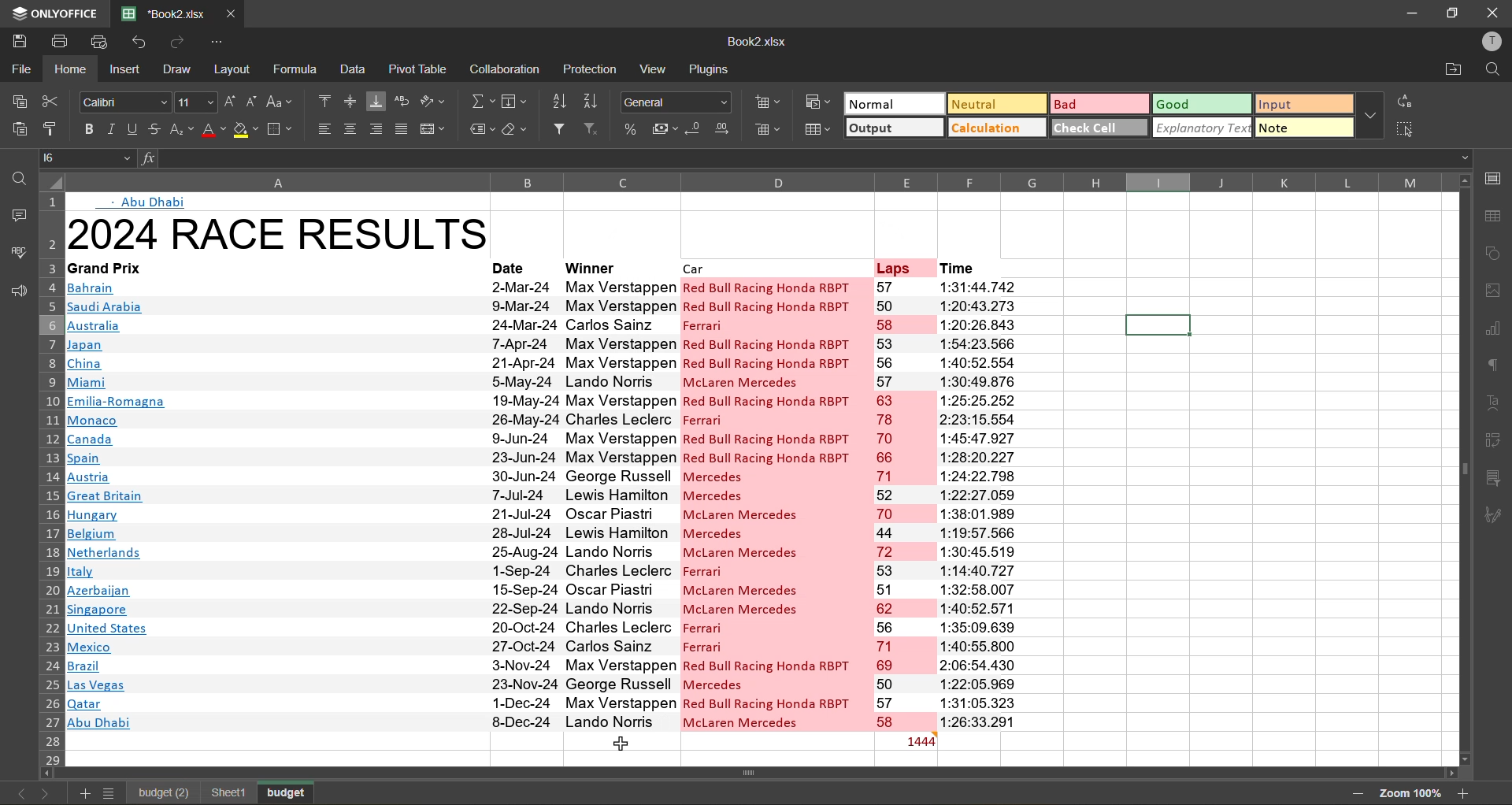  Describe the element at coordinates (1495, 254) in the screenshot. I see `shapes` at that location.